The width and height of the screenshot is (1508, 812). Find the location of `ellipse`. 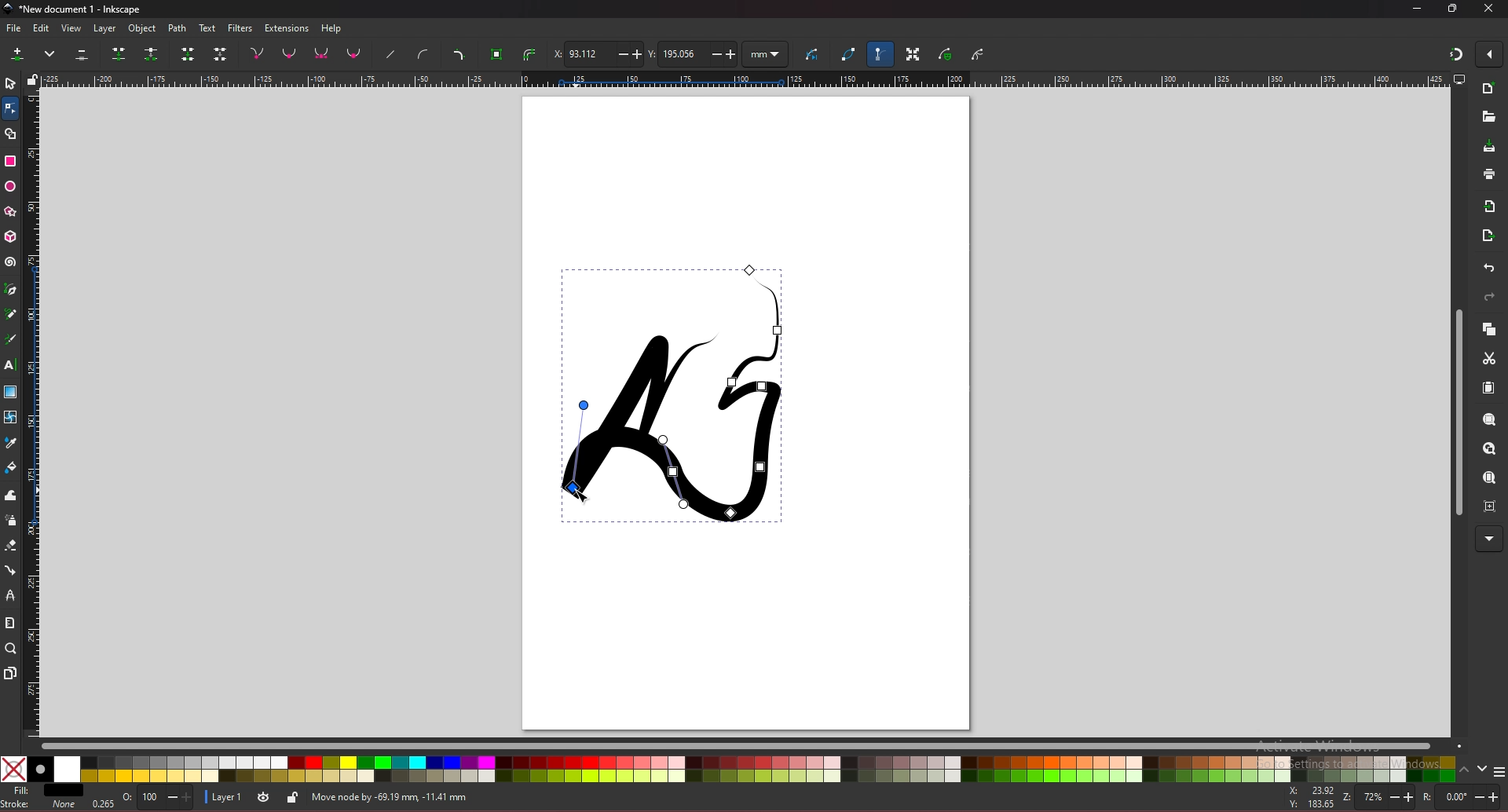

ellipse is located at coordinates (10, 186).